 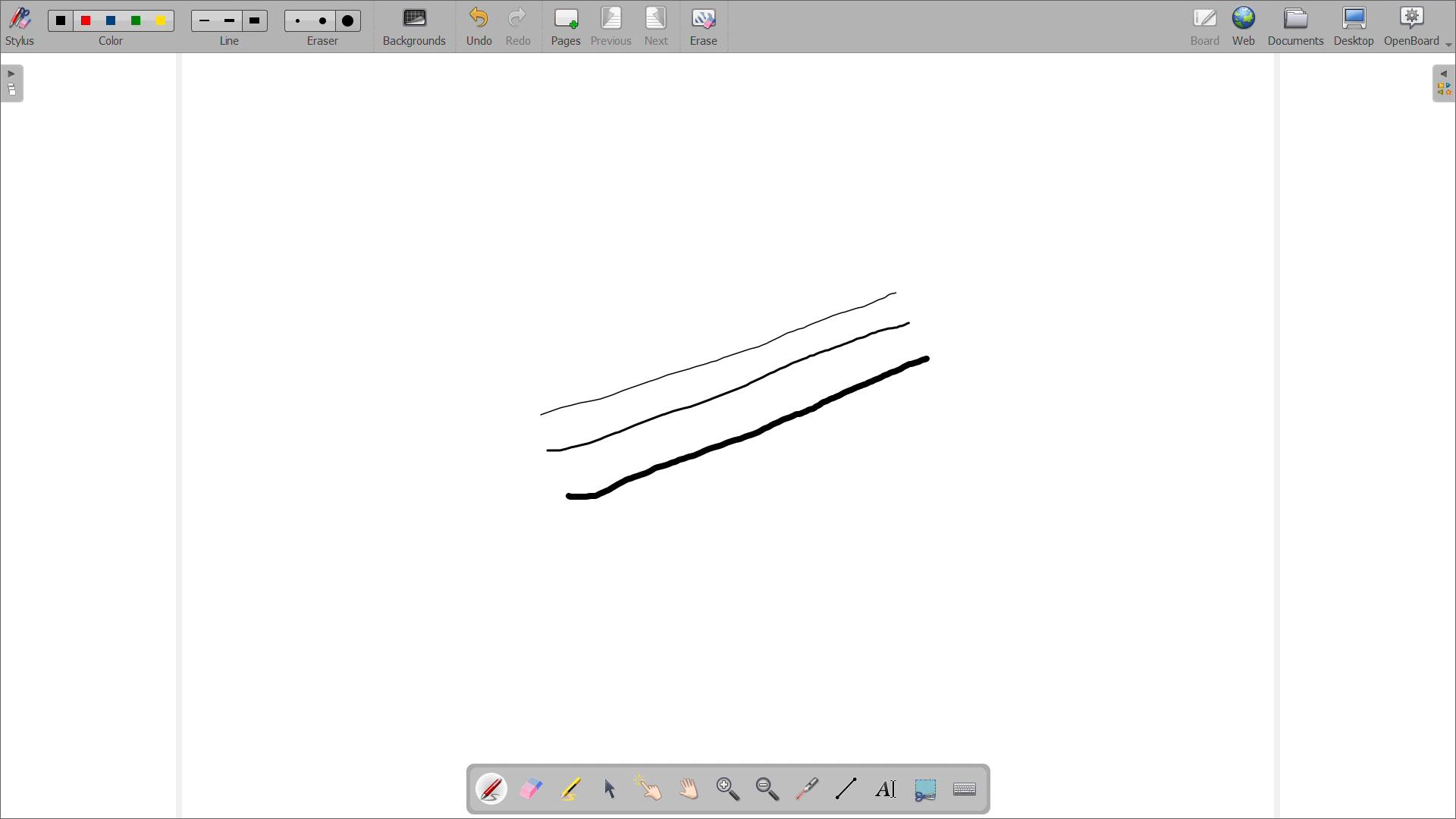 What do you see at coordinates (1244, 27) in the screenshot?
I see `web` at bounding box center [1244, 27].